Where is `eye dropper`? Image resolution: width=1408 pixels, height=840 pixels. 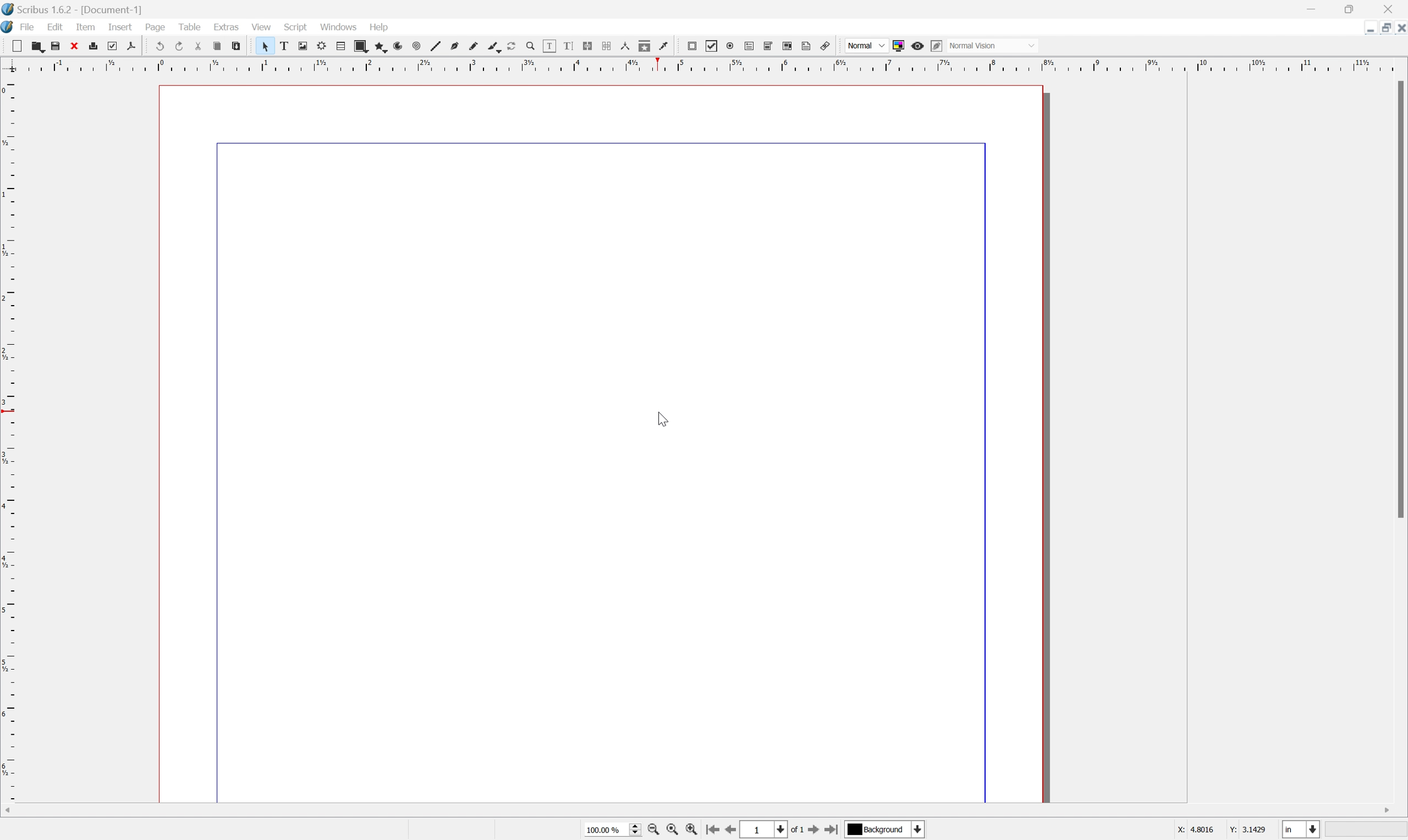
eye dropper is located at coordinates (665, 47).